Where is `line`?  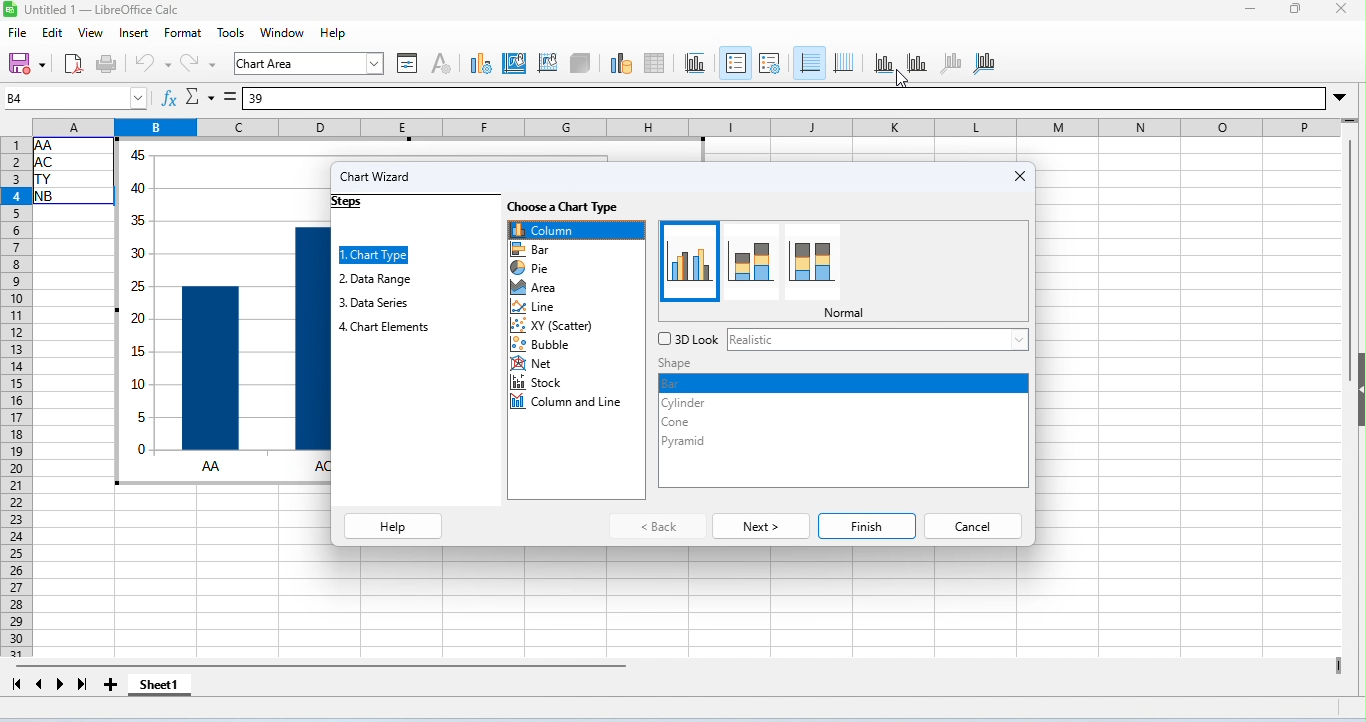
line is located at coordinates (534, 308).